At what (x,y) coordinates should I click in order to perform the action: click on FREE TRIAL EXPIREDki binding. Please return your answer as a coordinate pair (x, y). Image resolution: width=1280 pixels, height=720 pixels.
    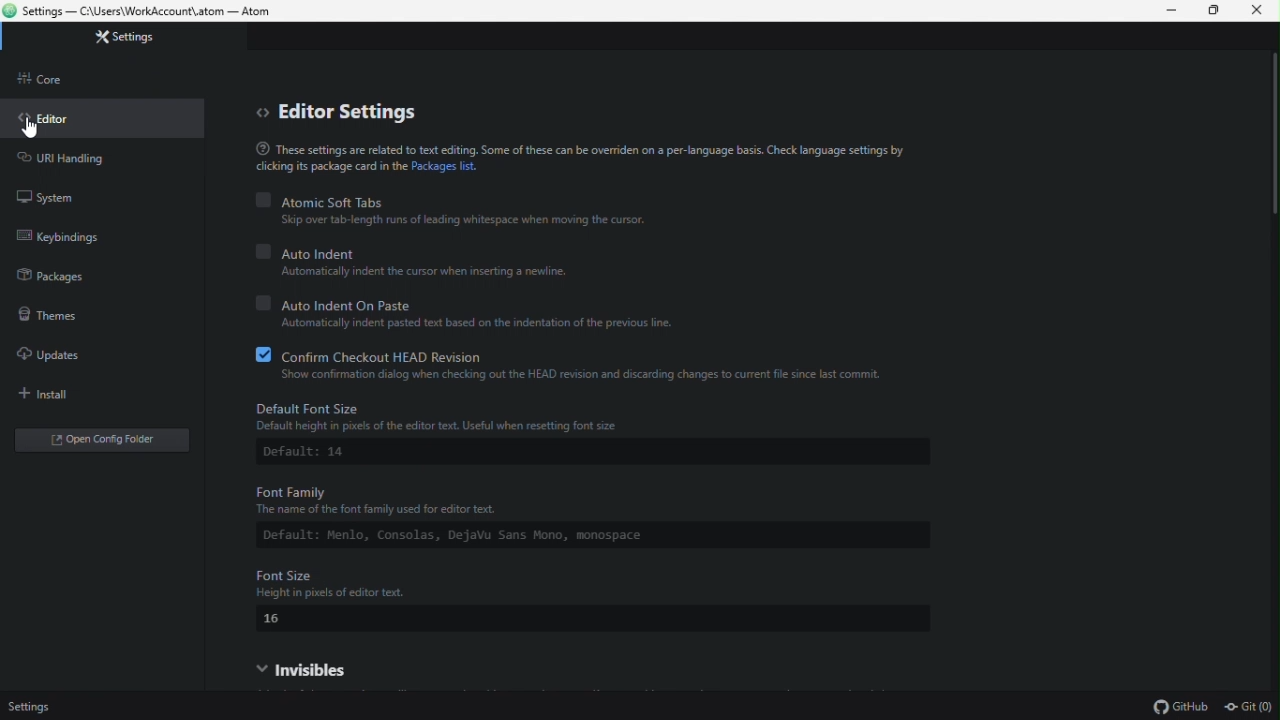
    Looking at the image, I should click on (99, 240).